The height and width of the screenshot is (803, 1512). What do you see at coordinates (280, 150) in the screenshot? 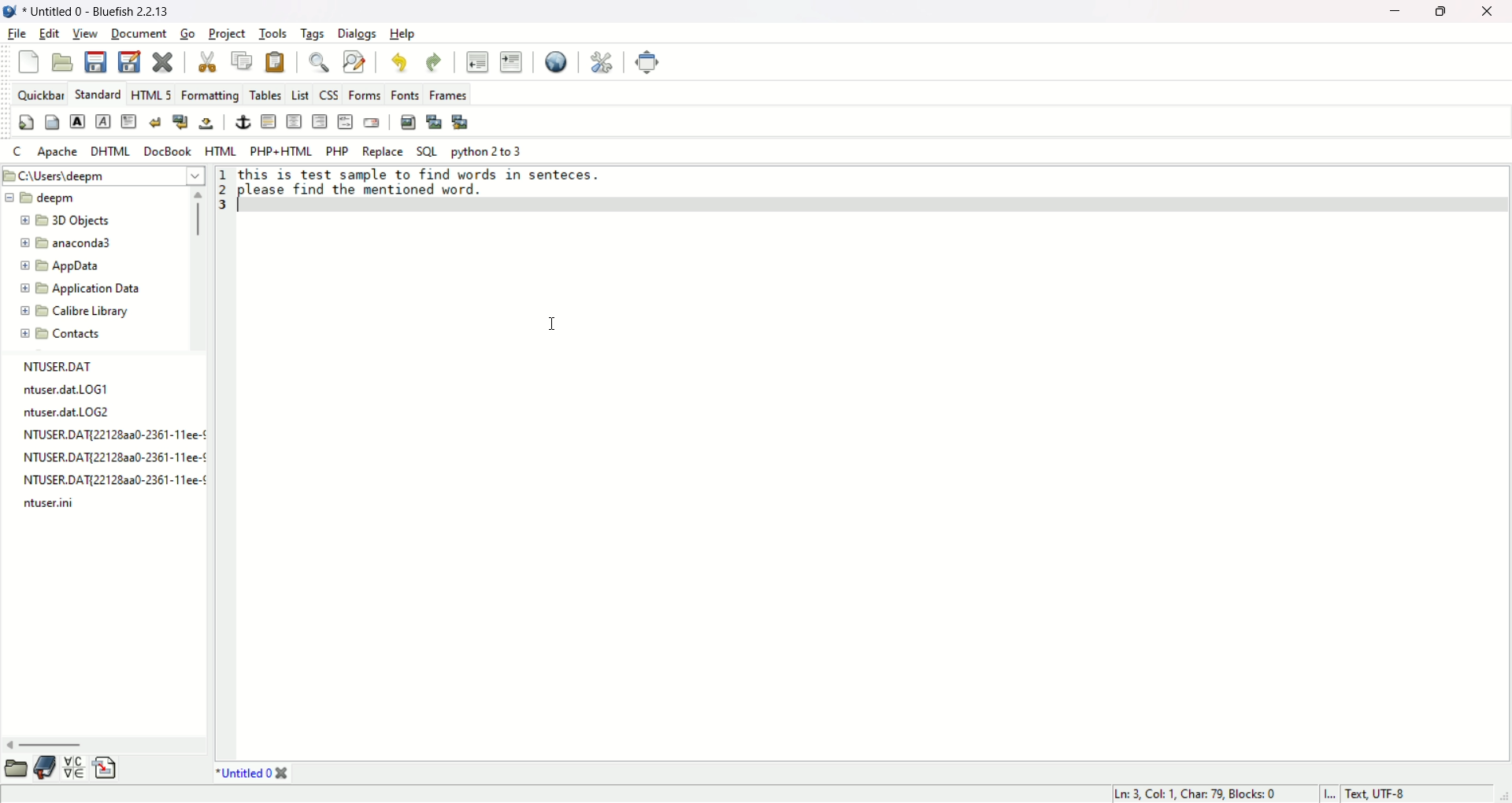
I see `PHP+HTML` at bounding box center [280, 150].